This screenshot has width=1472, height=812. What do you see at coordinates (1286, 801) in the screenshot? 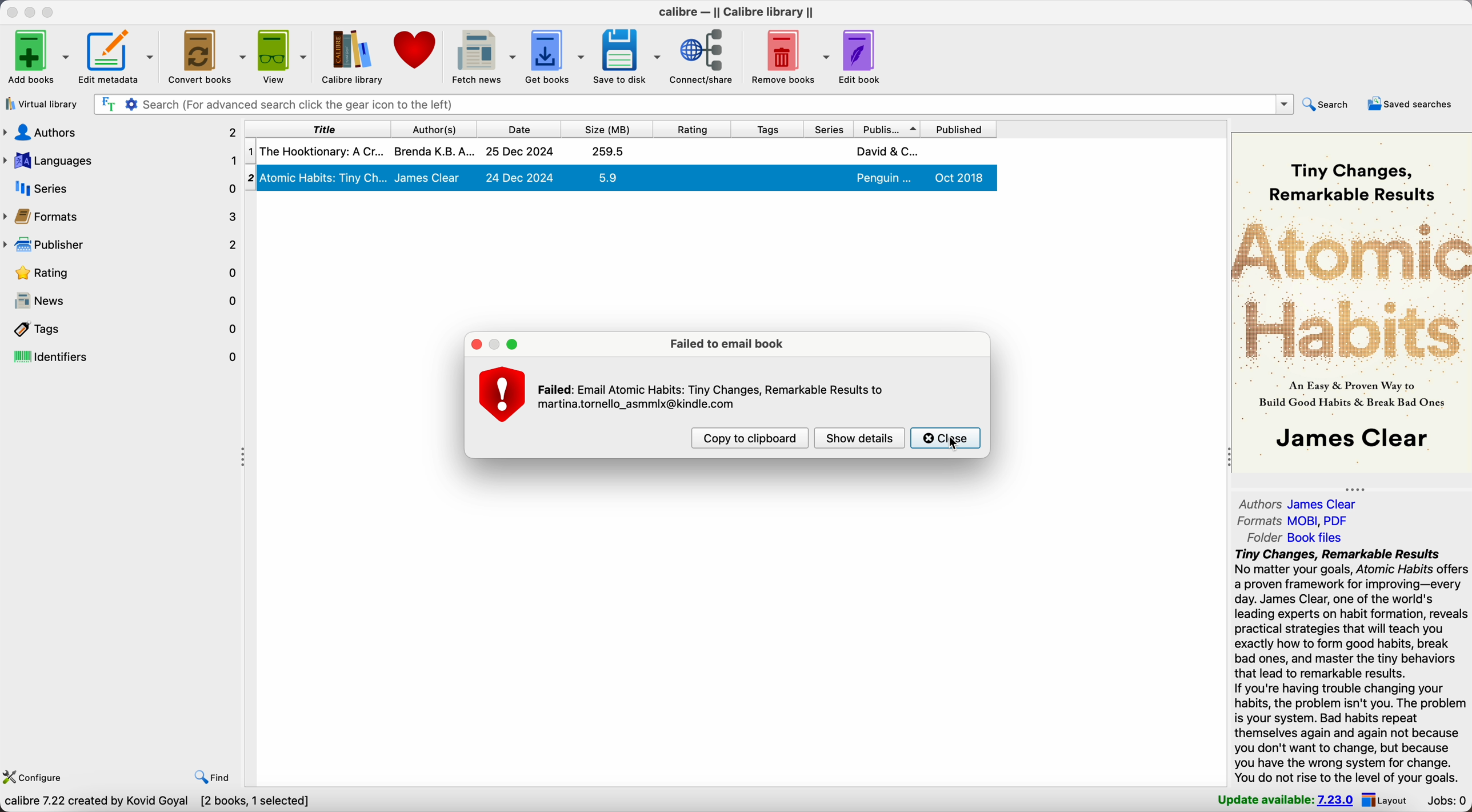
I see `update available` at bounding box center [1286, 801].